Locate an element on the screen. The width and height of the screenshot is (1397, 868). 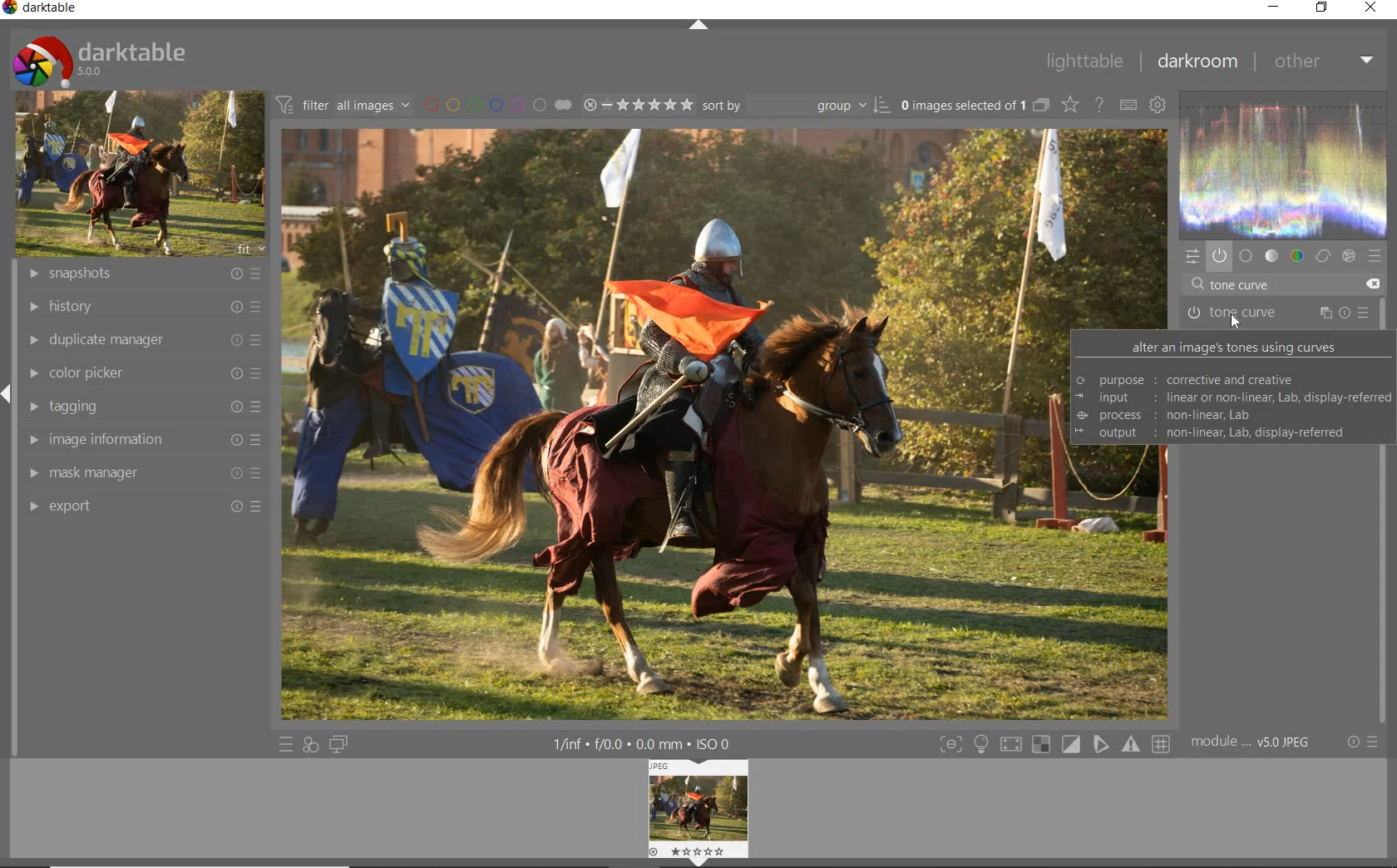
0 images (#.... lected of 1) is located at coordinates (973, 105).